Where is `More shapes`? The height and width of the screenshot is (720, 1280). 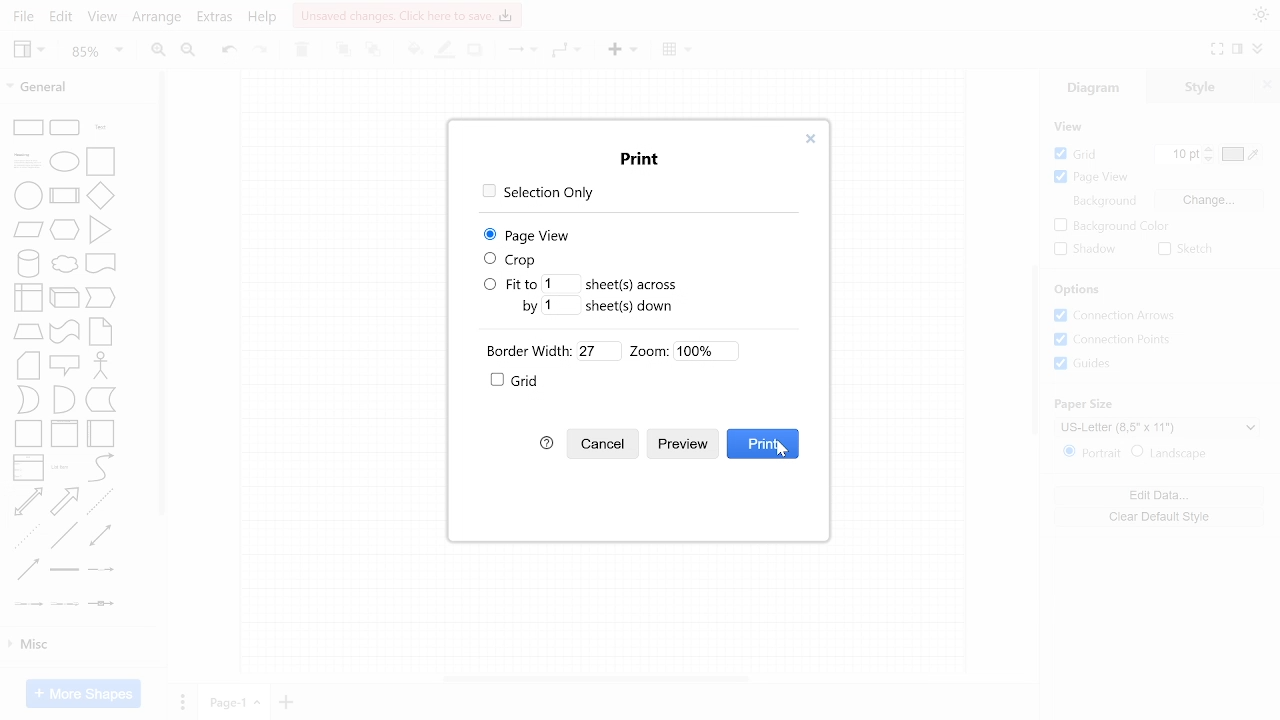 More shapes is located at coordinates (83, 693).